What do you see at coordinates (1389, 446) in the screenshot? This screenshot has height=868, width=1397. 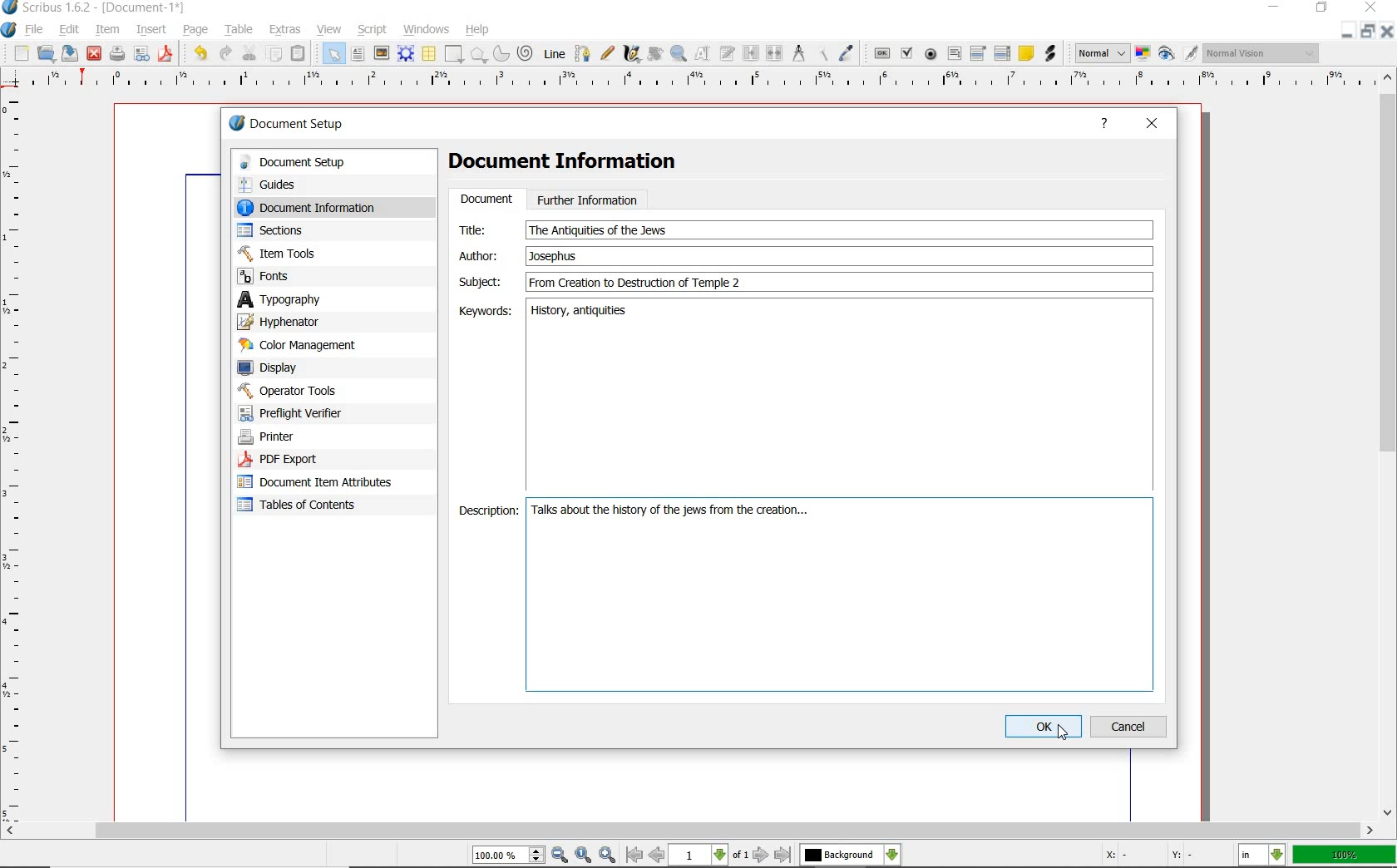 I see `scrollbar` at bounding box center [1389, 446].